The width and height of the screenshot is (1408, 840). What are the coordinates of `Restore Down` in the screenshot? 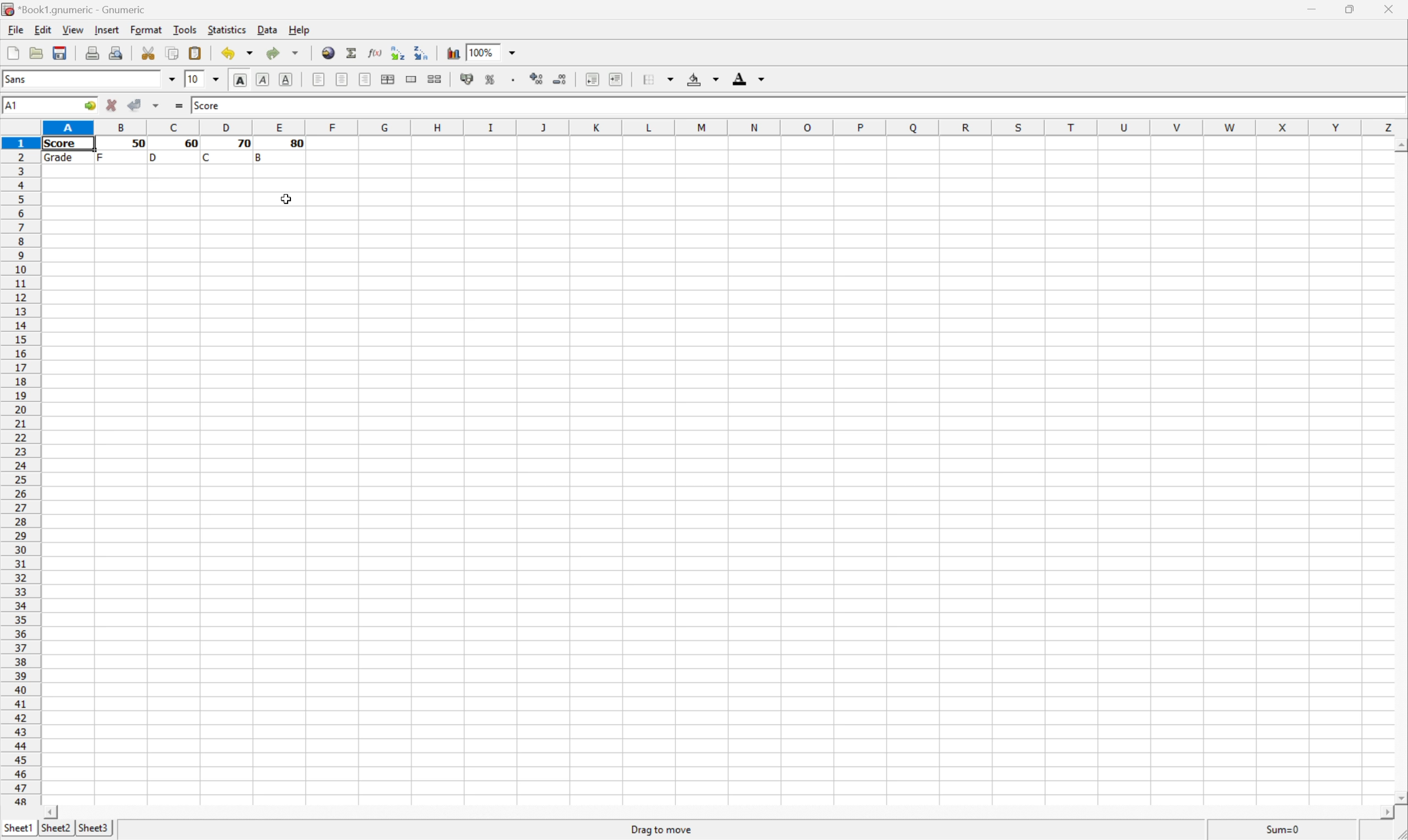 It's located at (1351, 10).